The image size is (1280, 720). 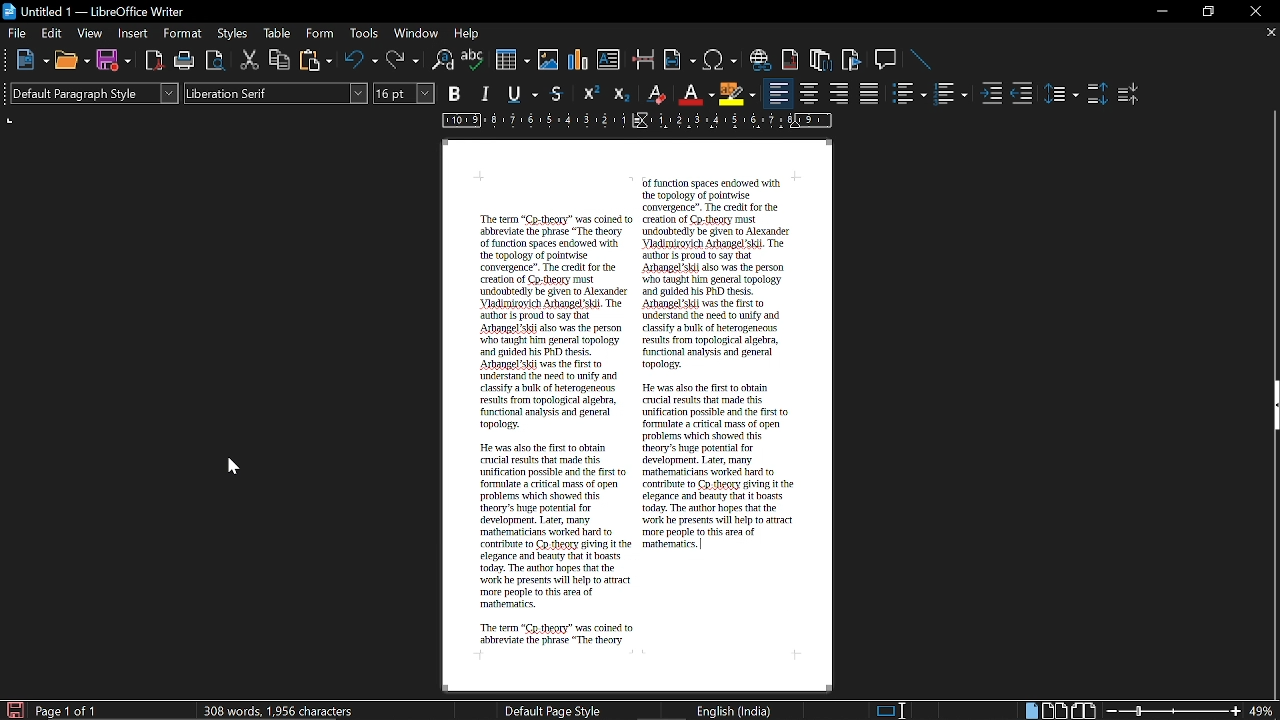 What do you see at coordinates (1257, 13) in the screenshot?
I see `Close` at bounding box center [1257, 13].